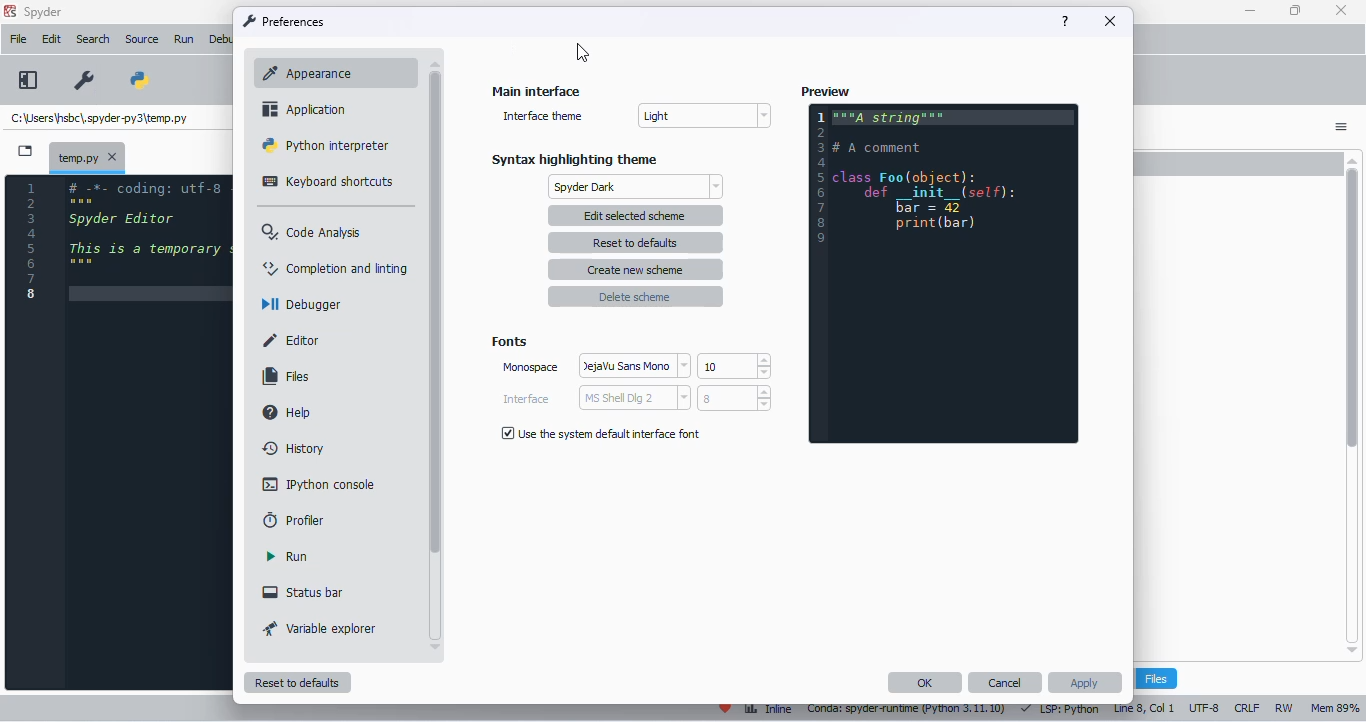  What do you see at coordinates (541, 116) in the screenshot?
I see `interface theme` at bounding box center [541, 116].